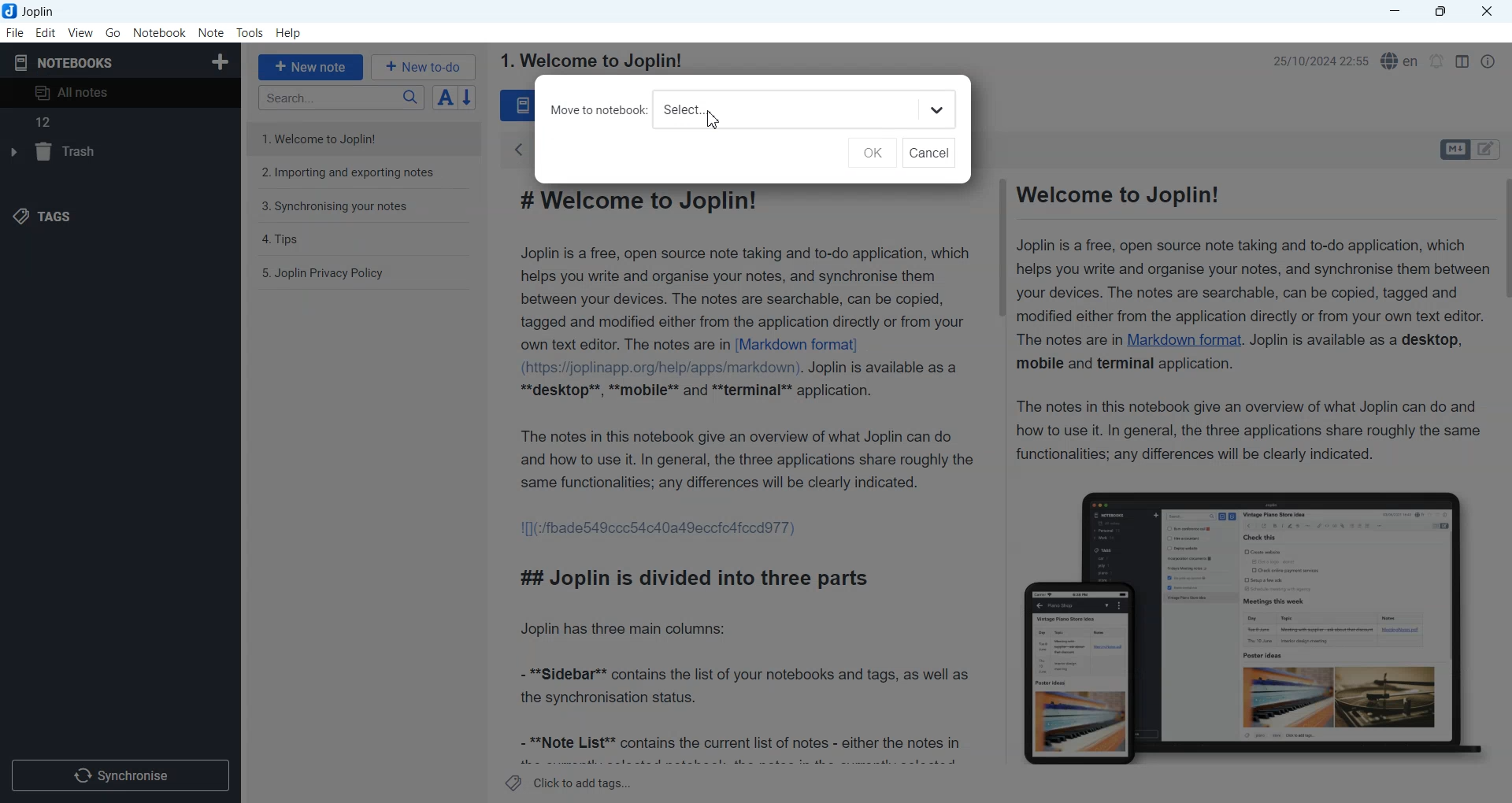  I want to click on Toggle editors, so click(1489, 150).